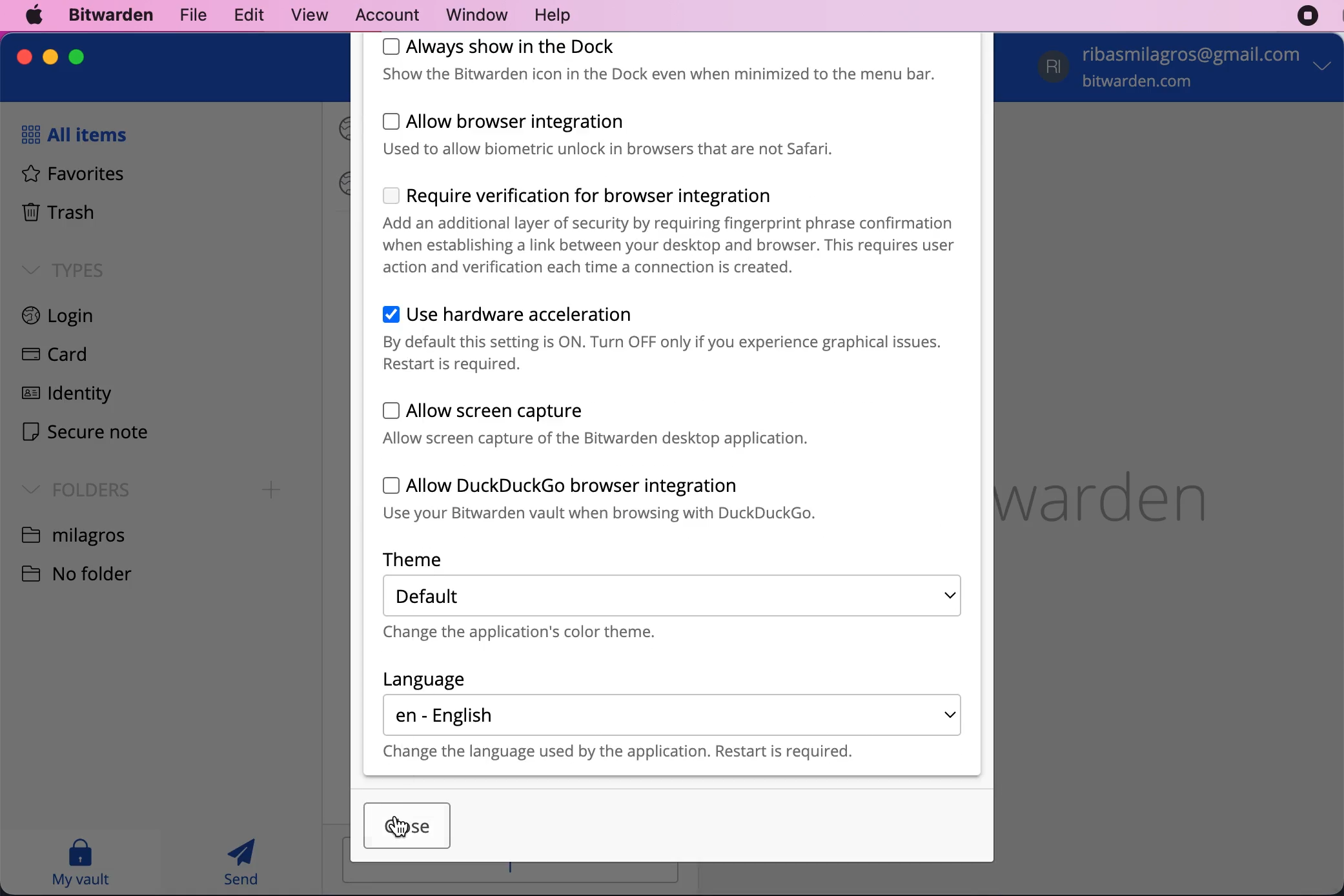 The width and height of the screenshot is (1344, 896). What do you see at coordinates (398, 827) in the screenshot?
I see `Cursor` at bounding box center [398, 827].